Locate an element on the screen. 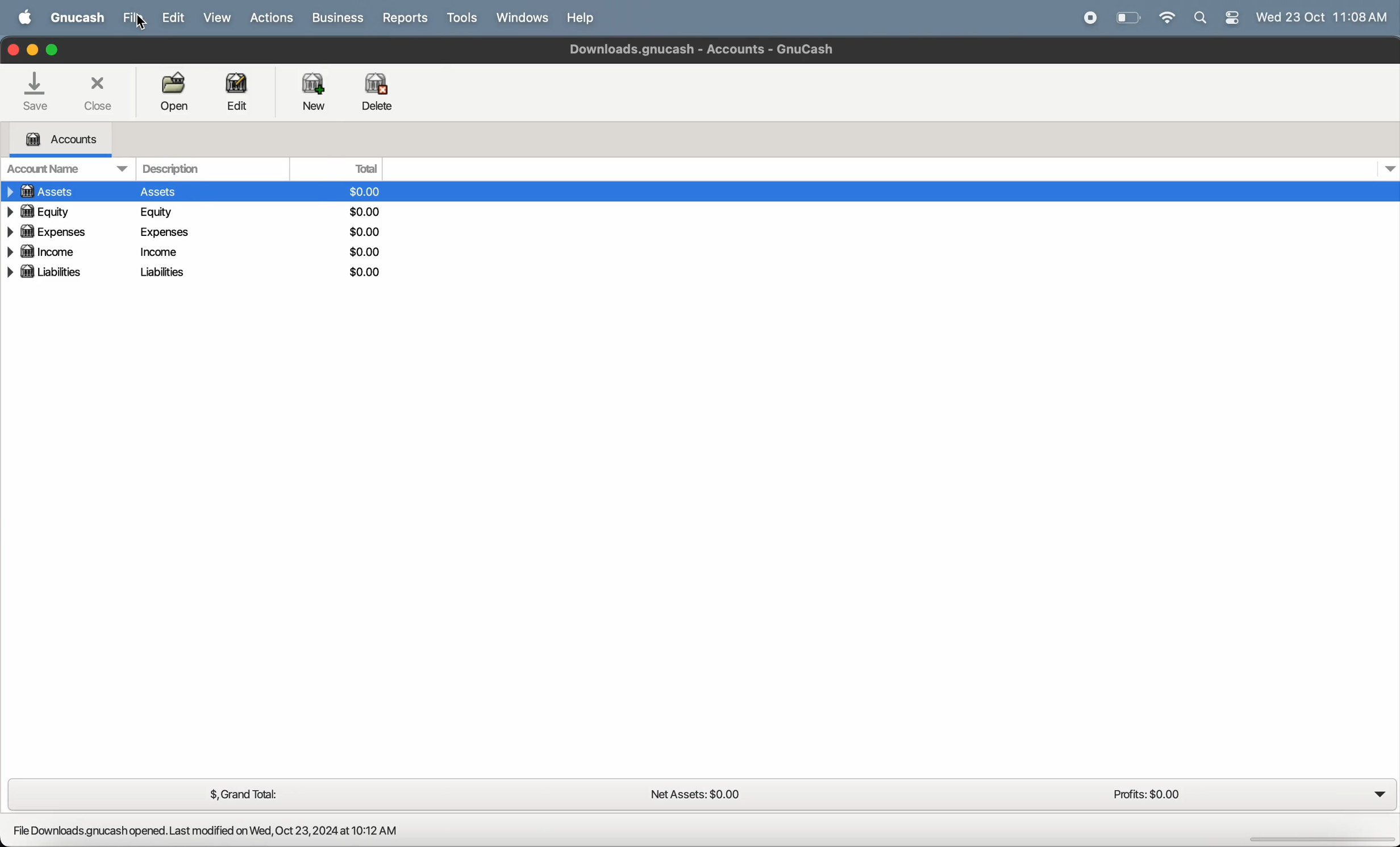 The width and height of the screenshot is (1400, 847). apple widgets is located at coordinates (1216, 15).